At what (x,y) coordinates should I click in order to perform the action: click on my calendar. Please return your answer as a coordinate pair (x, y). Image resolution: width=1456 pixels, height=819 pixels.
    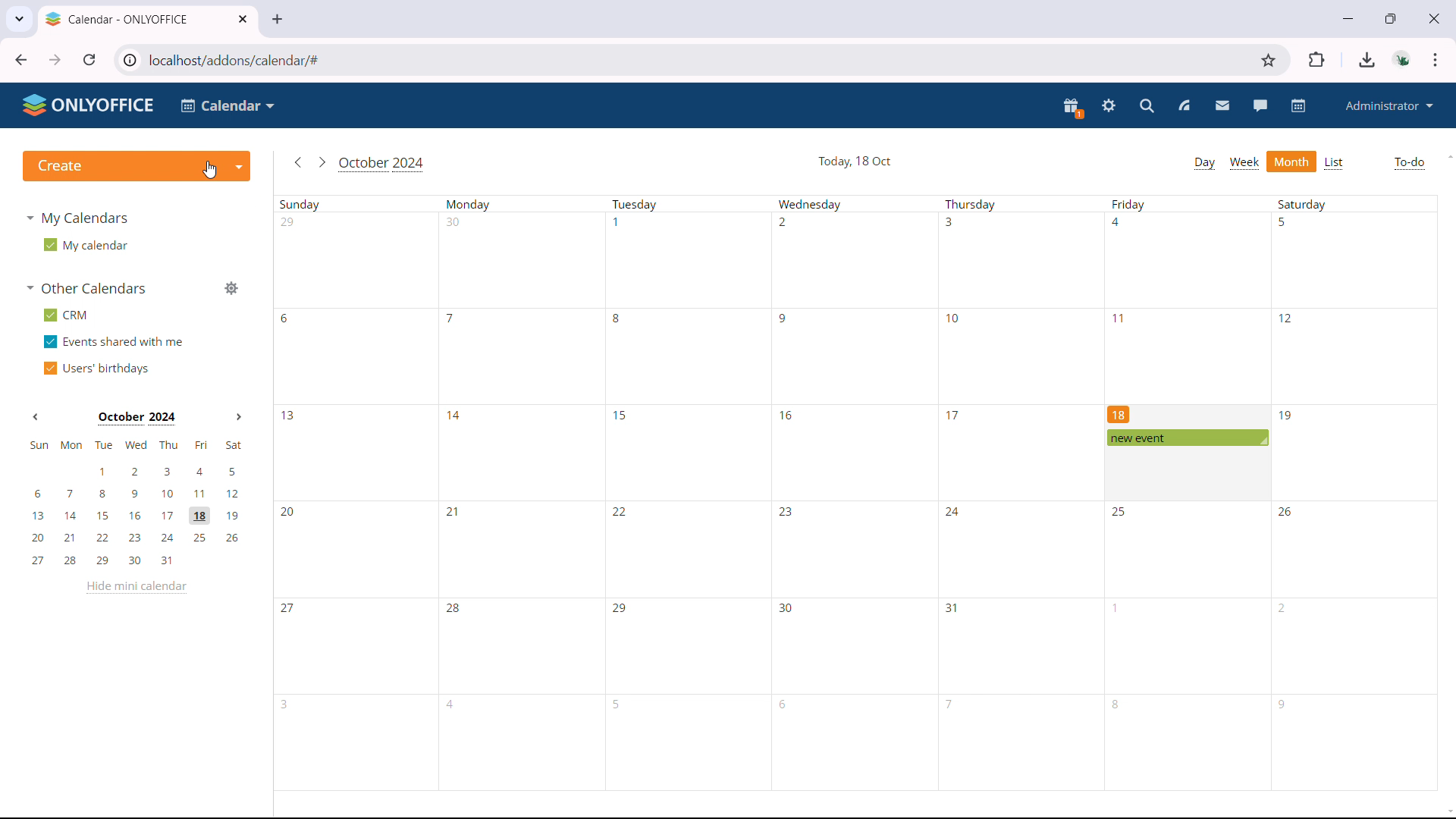
    Looking at the image, I should click on (84, 245).